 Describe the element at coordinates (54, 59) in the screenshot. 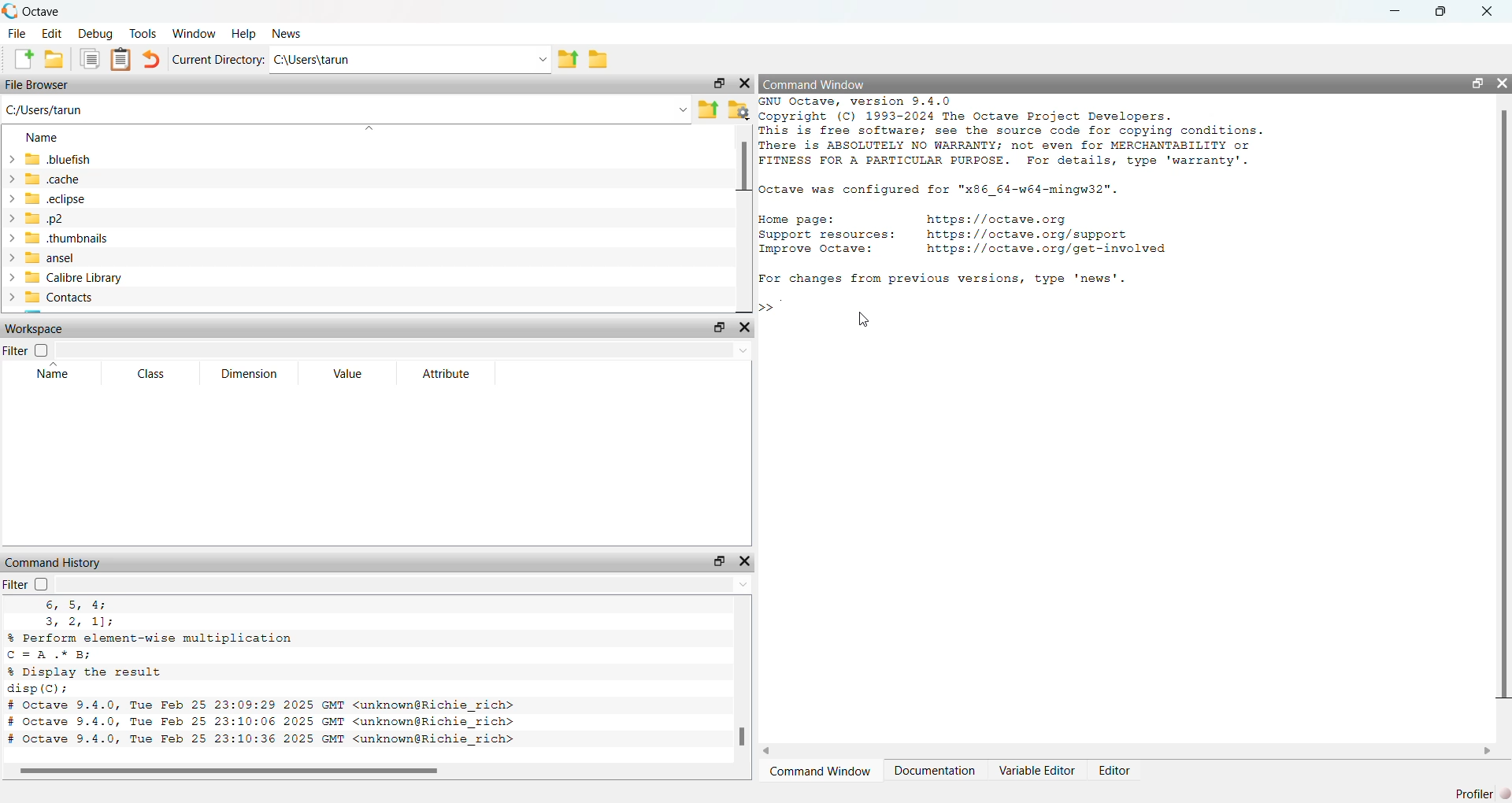

I see `Open Folder` at that location.